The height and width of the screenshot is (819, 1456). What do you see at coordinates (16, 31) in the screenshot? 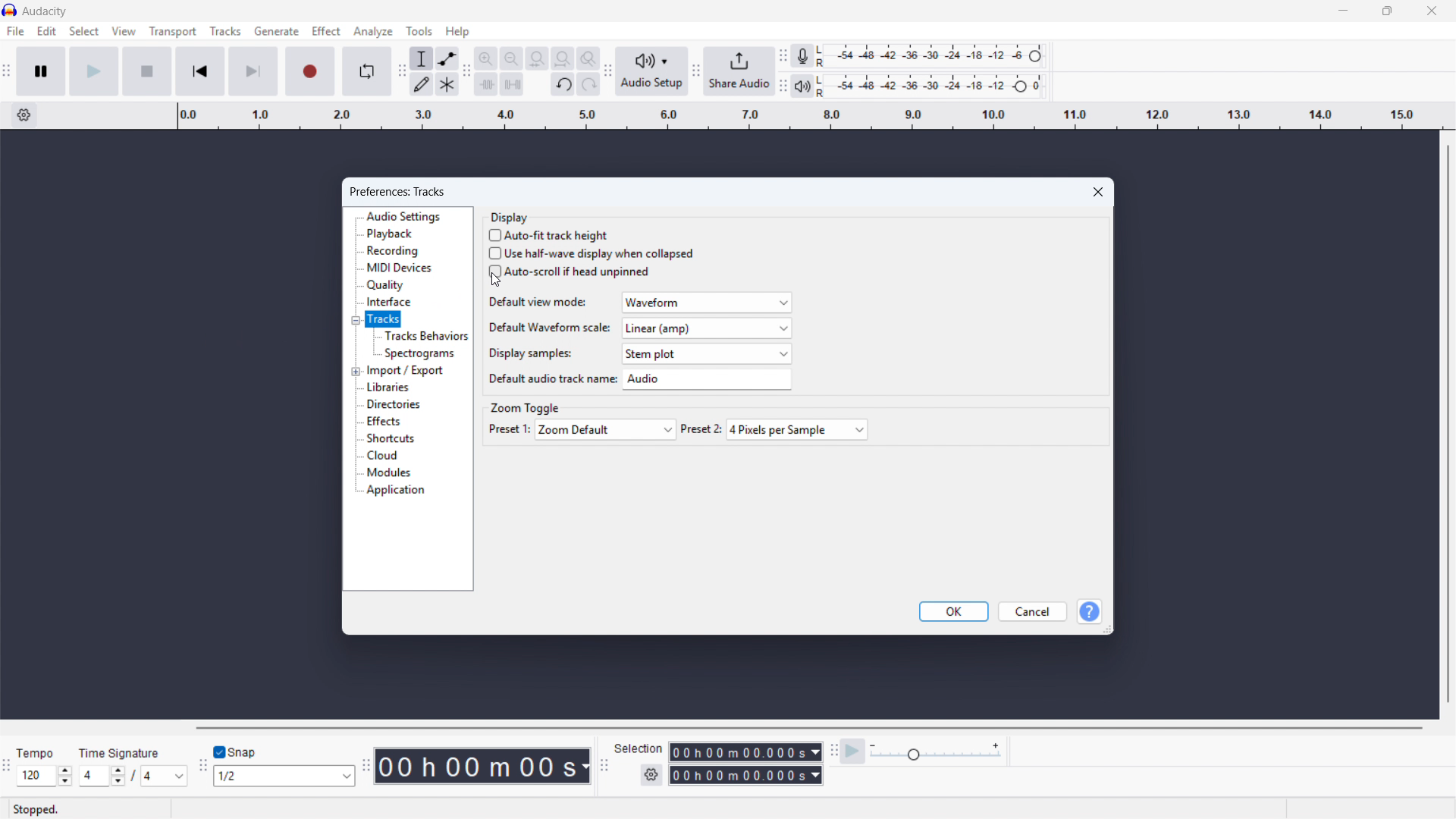
I see `file` at bounding box center [16, 31].